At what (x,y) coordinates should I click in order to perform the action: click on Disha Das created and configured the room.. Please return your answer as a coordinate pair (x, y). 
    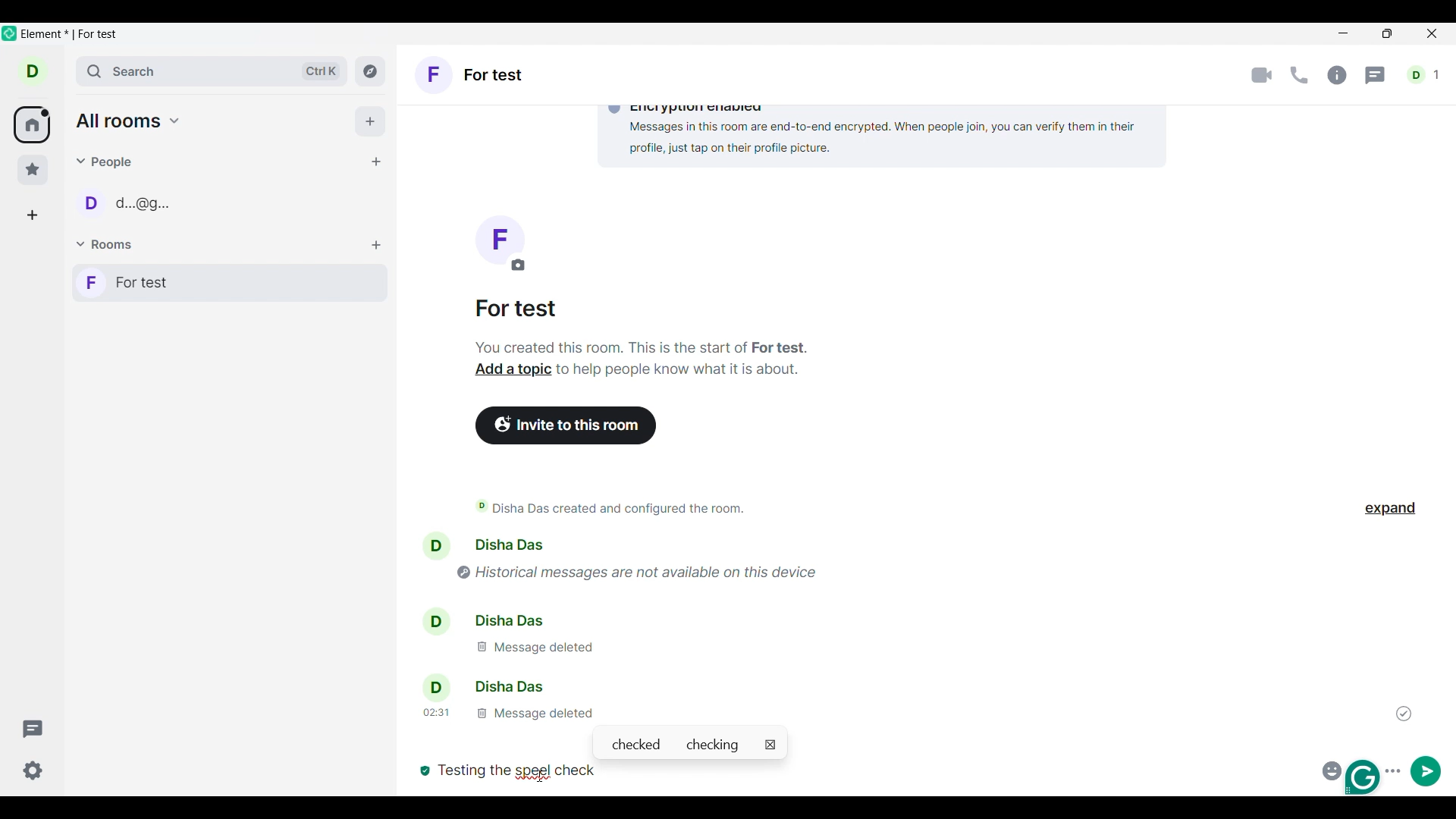
    Looking at the image, I should click on (622, 508).